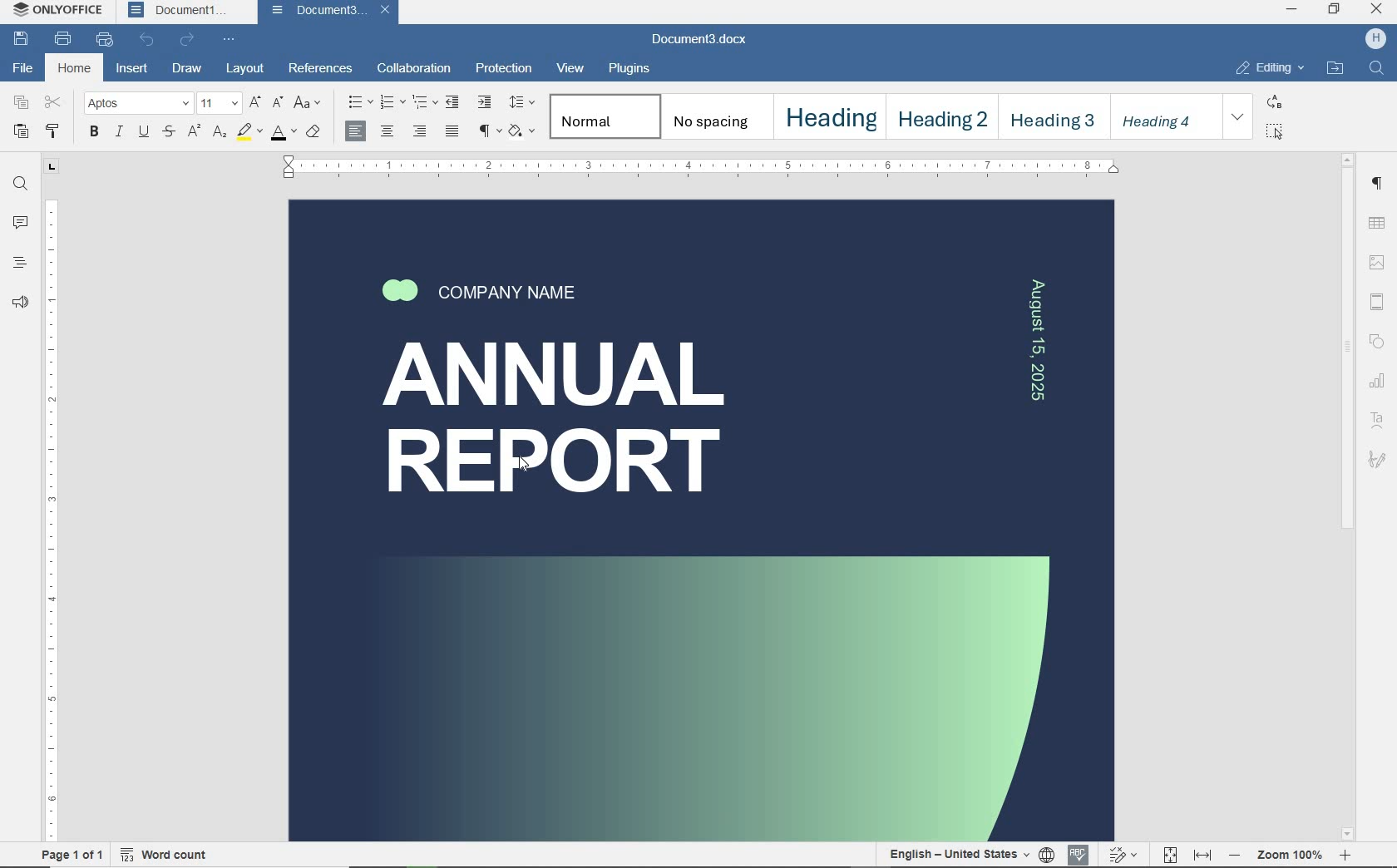 The width and height of the screenshot is (1397, 868). I want to click on no spacing, so click(713, 116).